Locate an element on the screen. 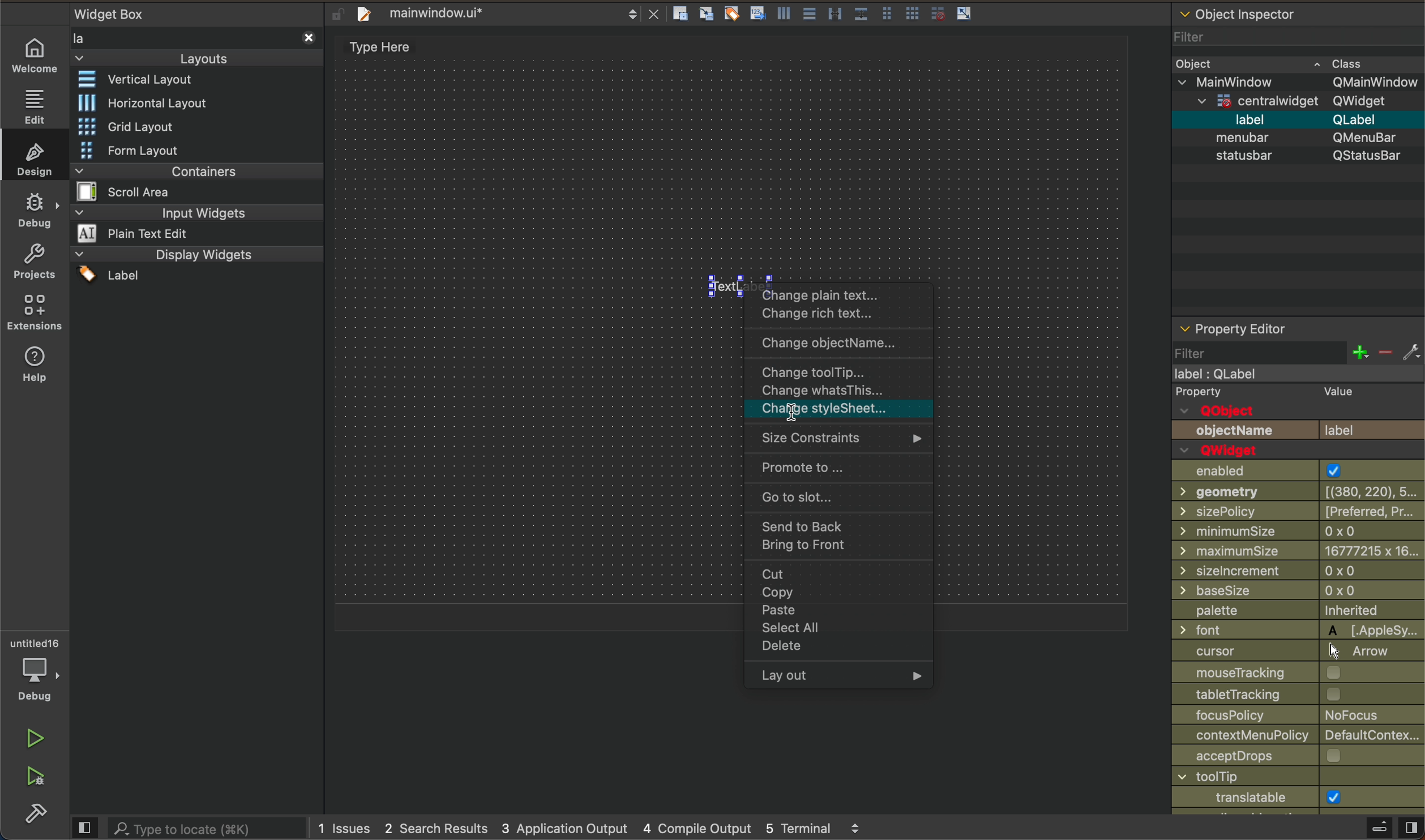 This screenshot has width=1425, height=840. cut is located at coordinates (837, 575).